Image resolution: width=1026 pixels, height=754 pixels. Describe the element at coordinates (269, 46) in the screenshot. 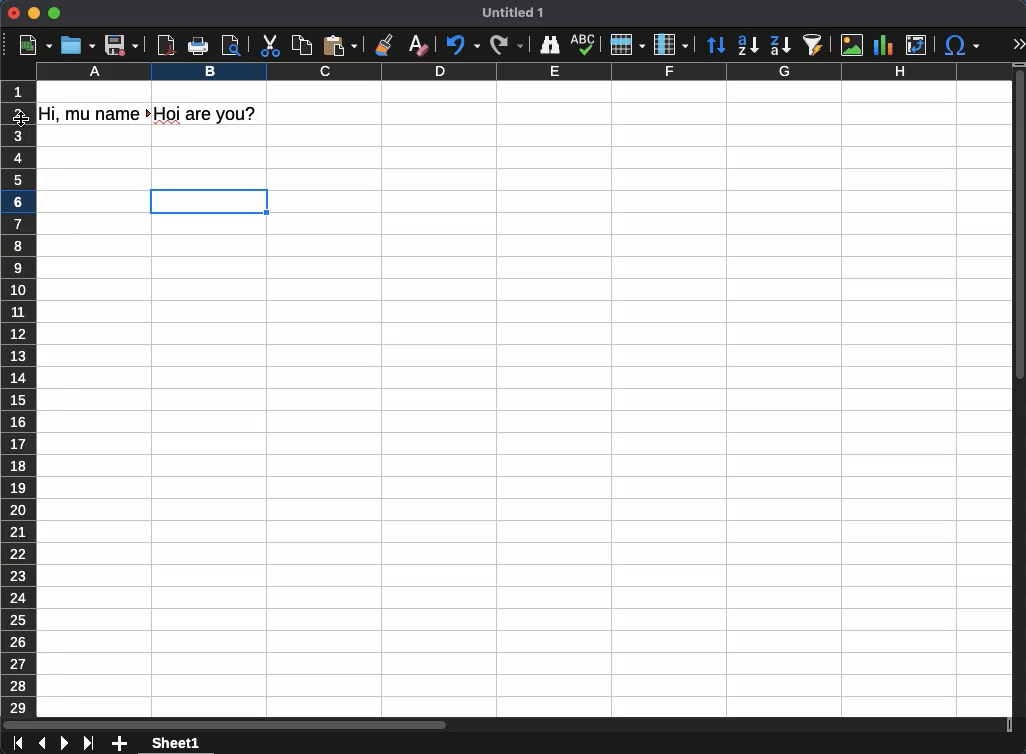

I see `cut` at that location.